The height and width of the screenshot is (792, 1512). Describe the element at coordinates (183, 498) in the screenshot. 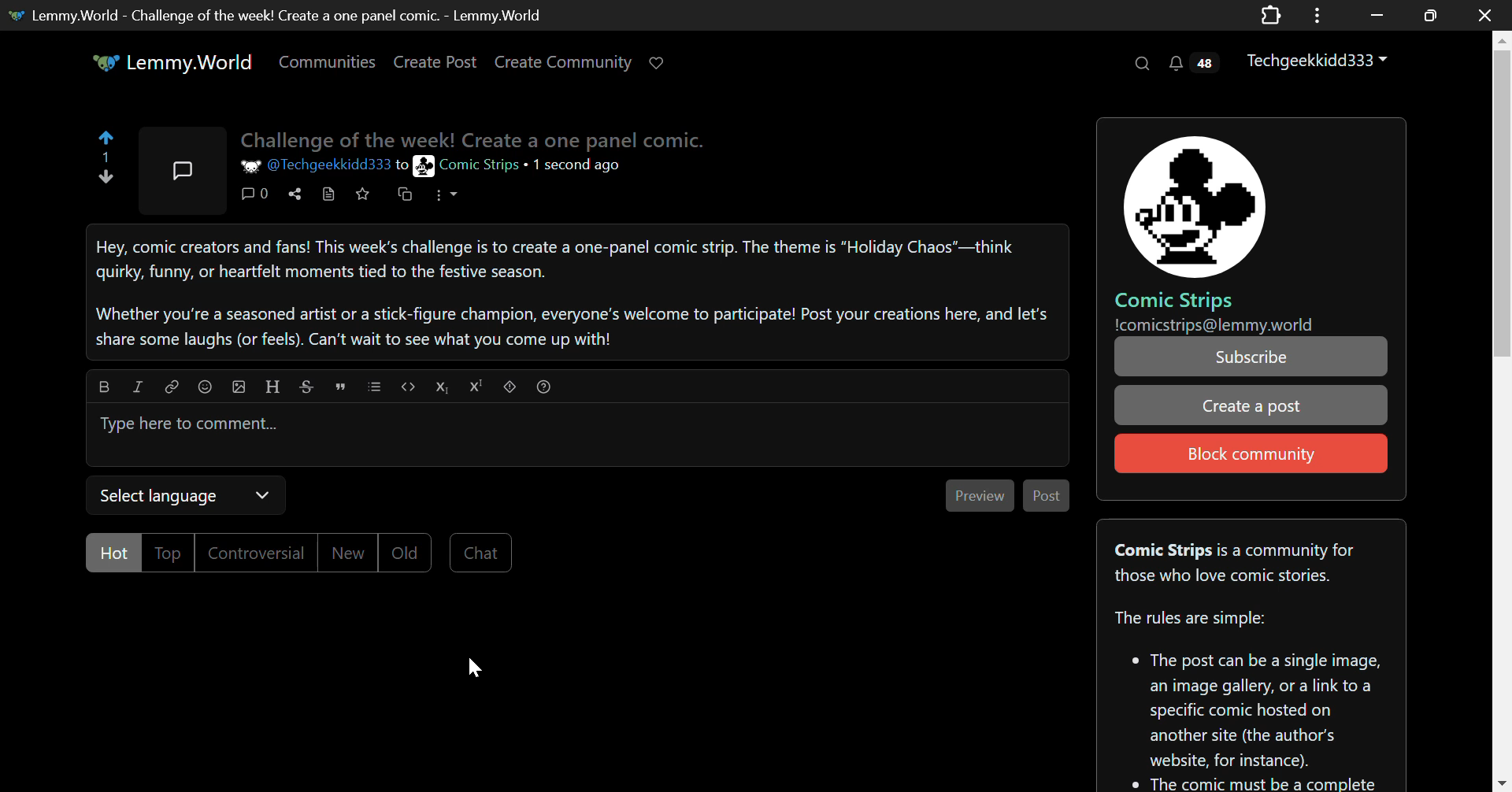

I see `Select Language` at that location.